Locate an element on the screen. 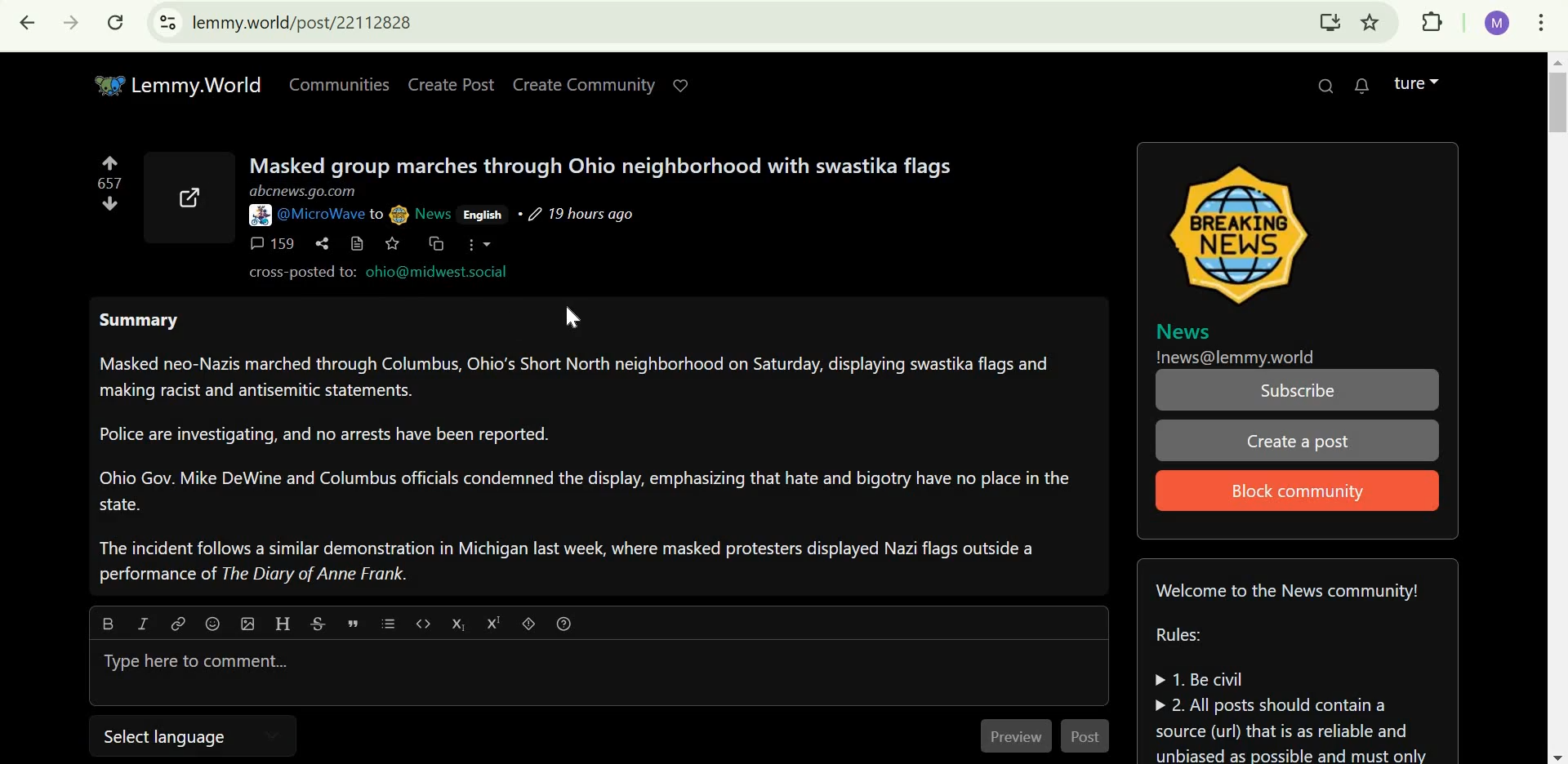 The width and height of the screenshot is (1568, 764). News is located at coordinates (433, 212).